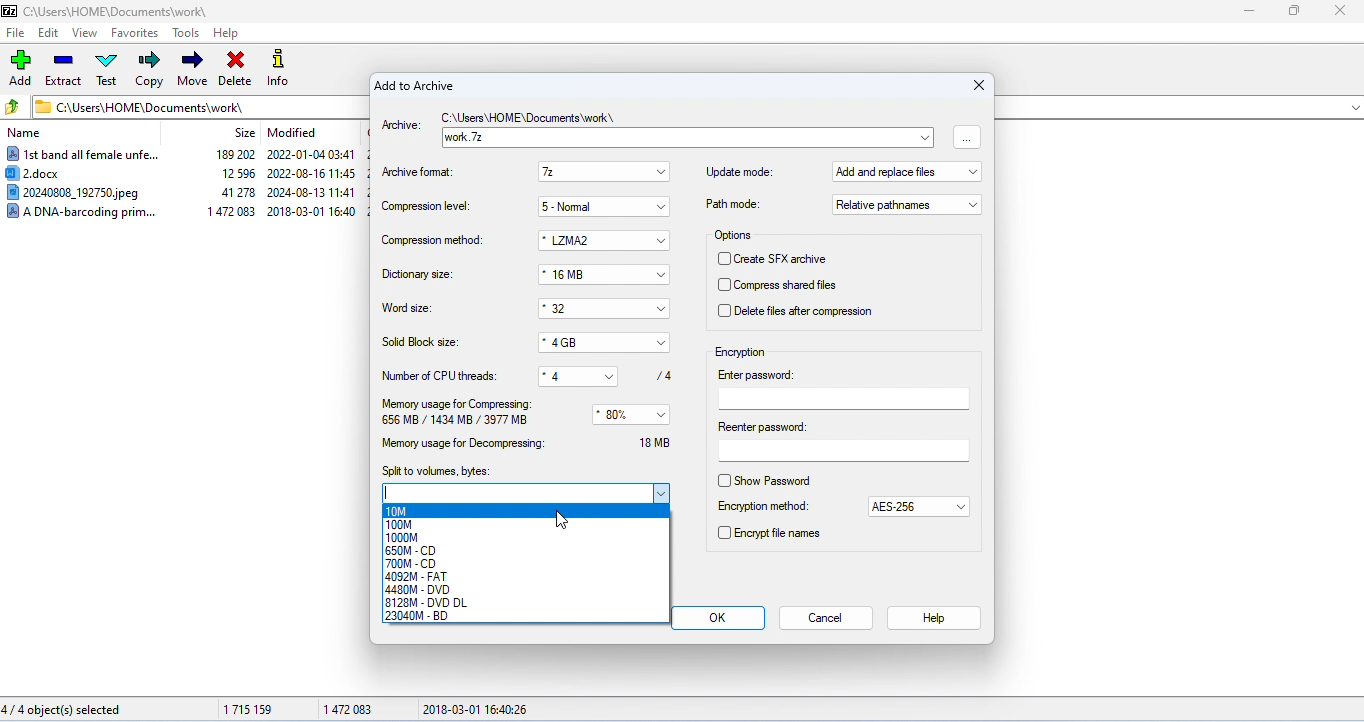 The image size is (1364, 722). Describe the element at coordinates (283, 70) in the screenshot. I see `info` at that location.